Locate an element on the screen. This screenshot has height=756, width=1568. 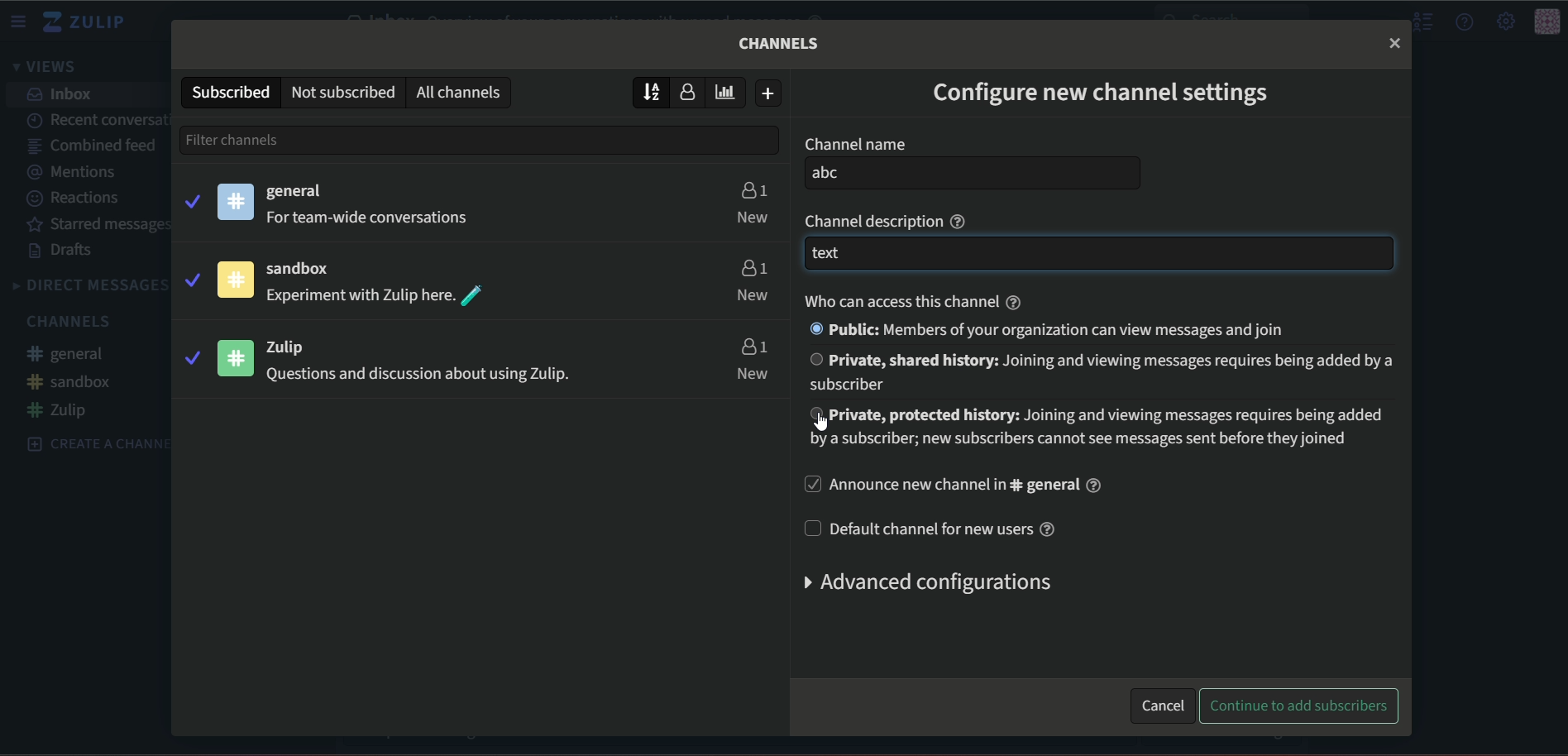
abc is located at coordinates (973, 174).